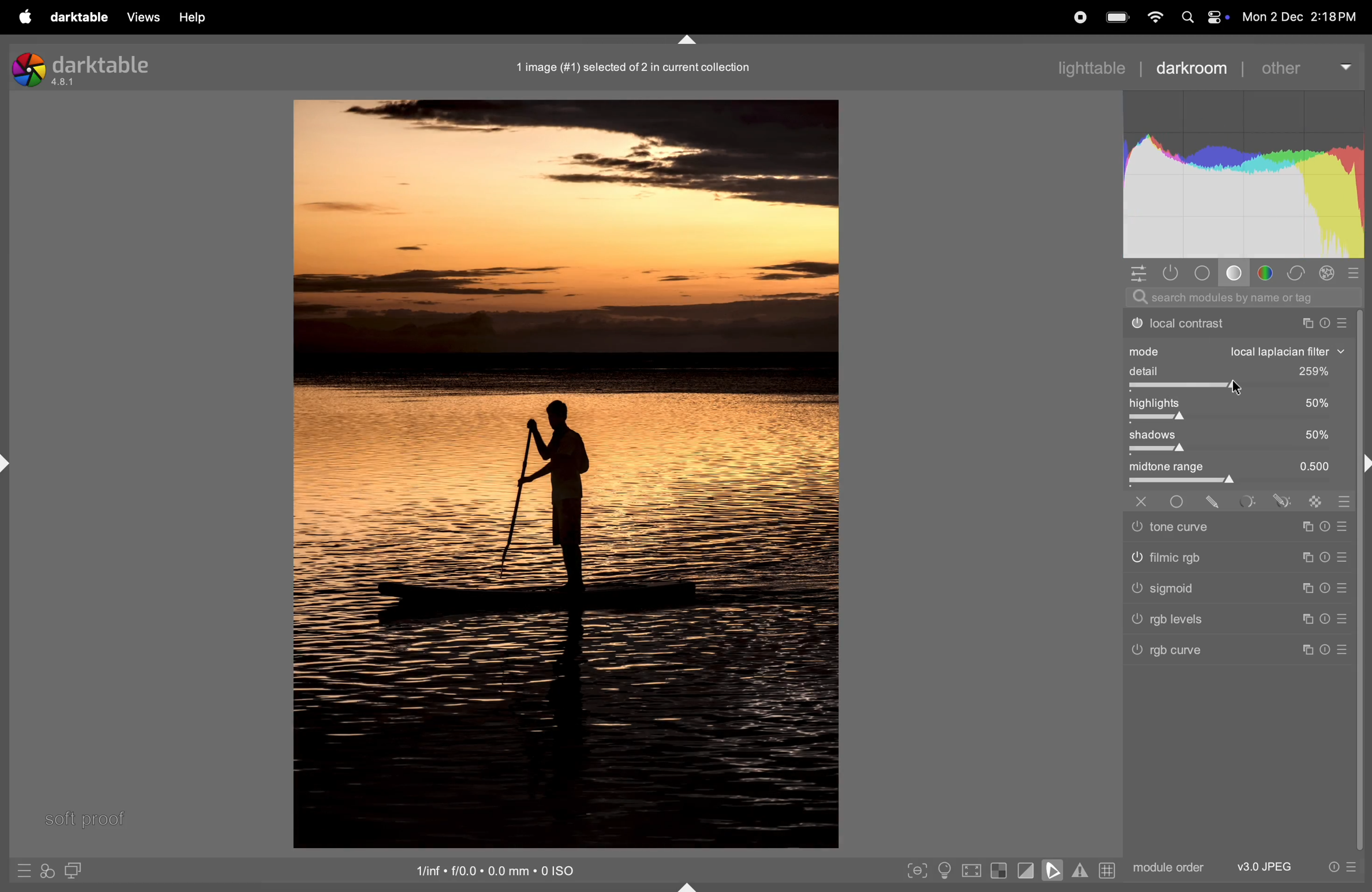 The width and height of the screenshot is (1372, 892). Describe the element at coordinates (1080, 872) in the screenshot. I see `toggle gamut checking` at that location.